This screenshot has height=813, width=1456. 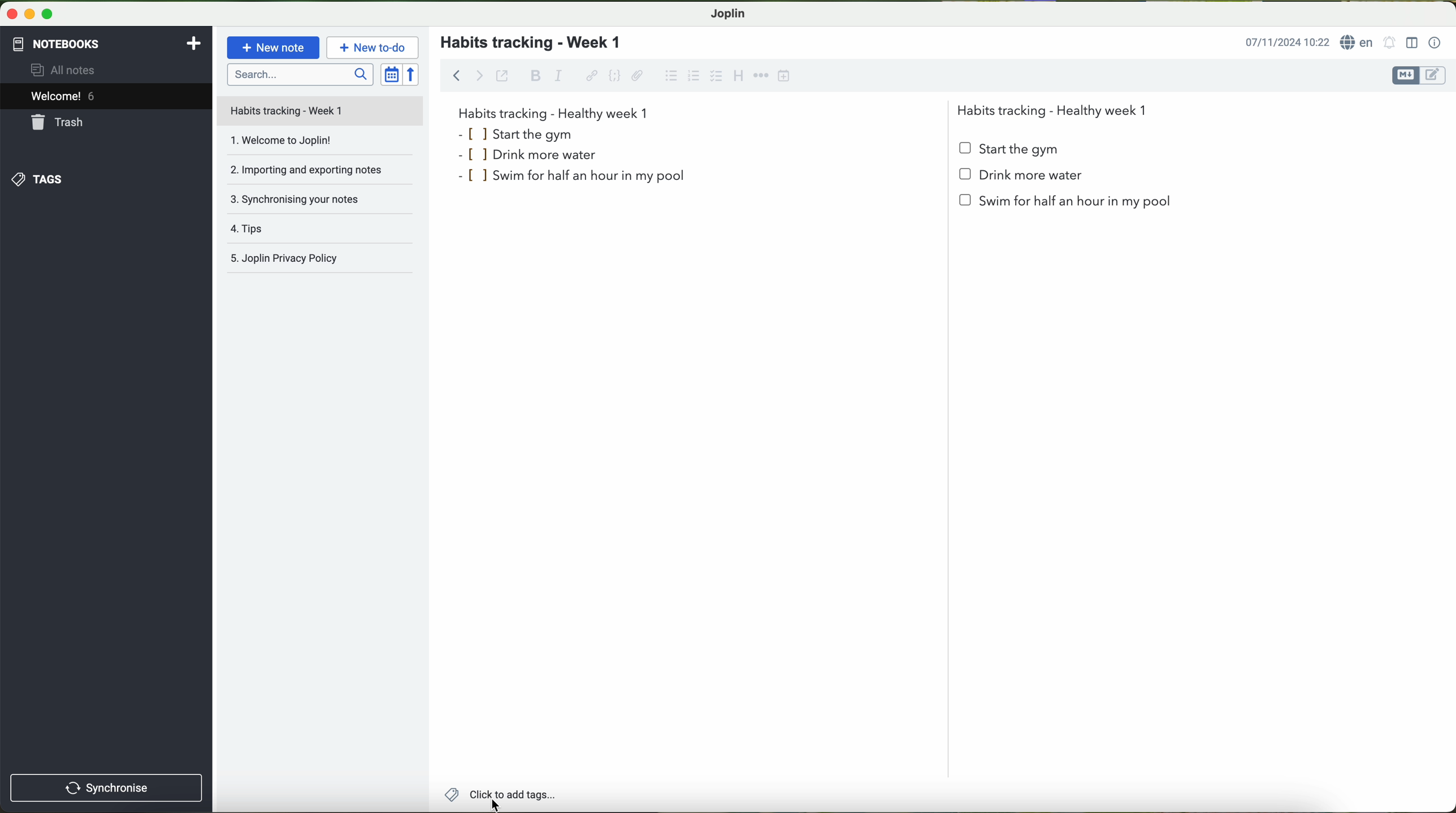 What do you see at coordinates (1390, 42) in the screenshot?
I see `set alarm` at bounding box center [1390, 42].